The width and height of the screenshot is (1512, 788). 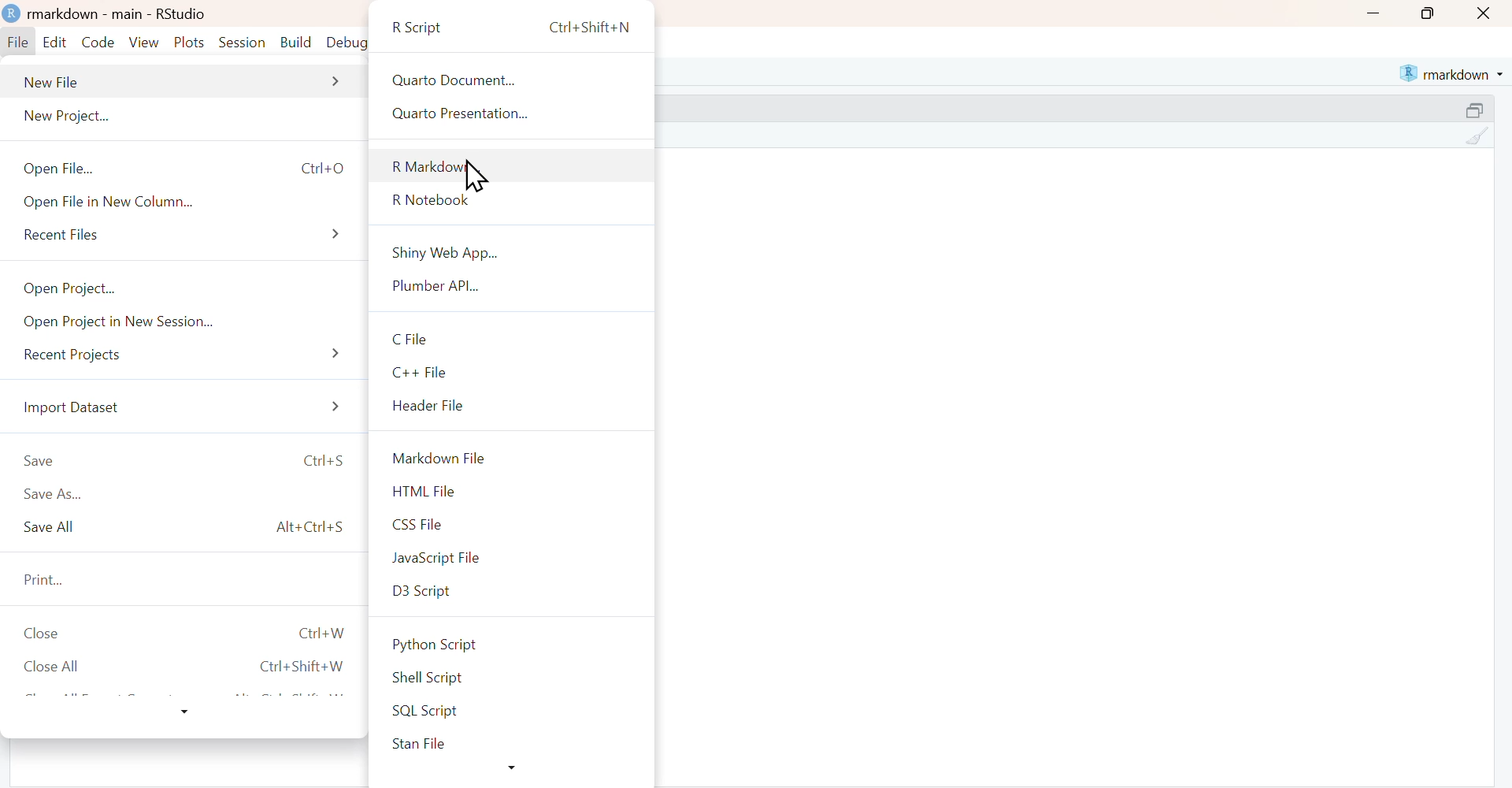 What do you see at coordinates (54, 43) in the screenshot?
I see `Edit` at bounding box center [54, 43].